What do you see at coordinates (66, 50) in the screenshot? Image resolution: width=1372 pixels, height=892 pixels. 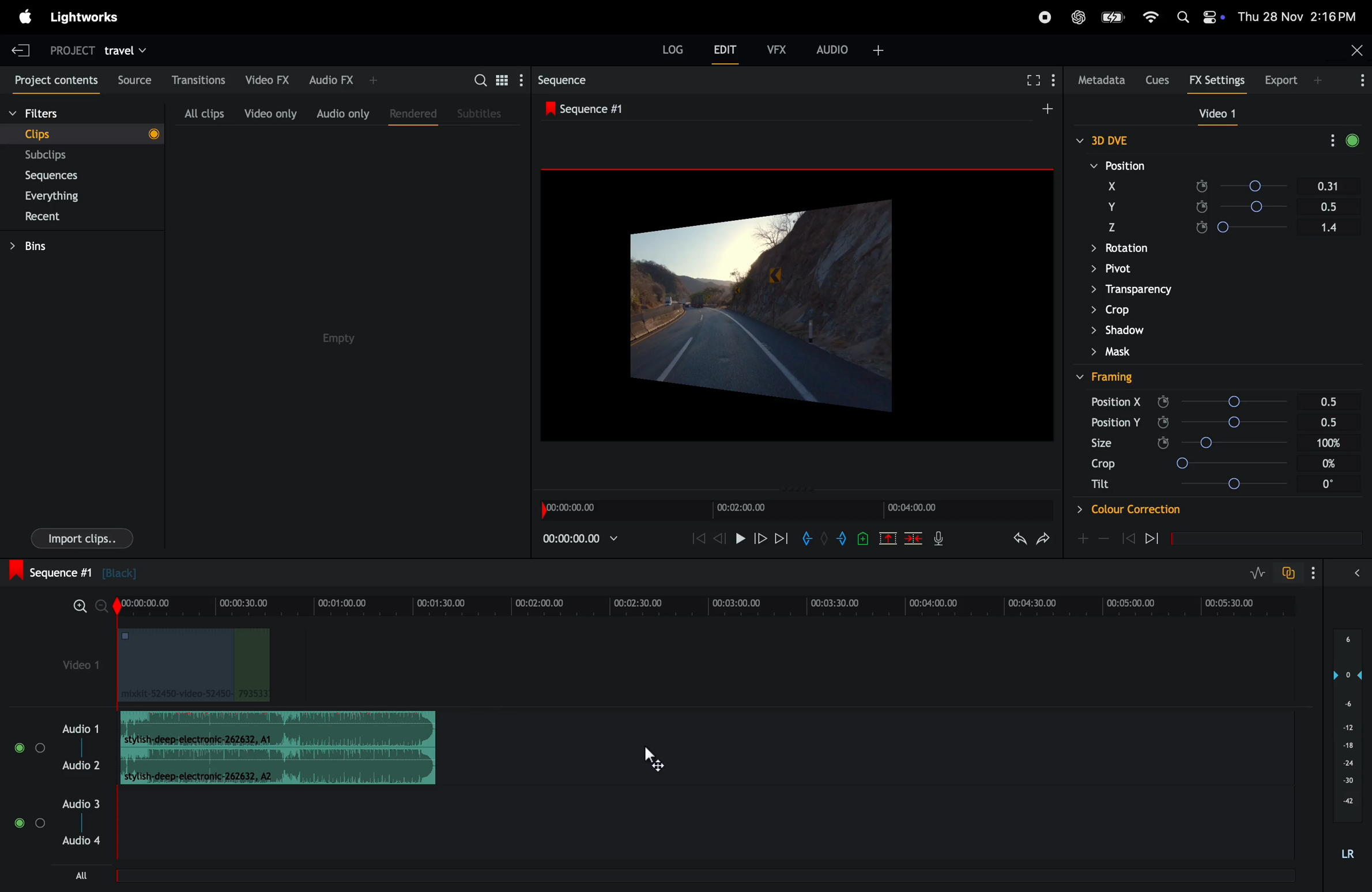 I see `project` at bounding box center [66, 50].